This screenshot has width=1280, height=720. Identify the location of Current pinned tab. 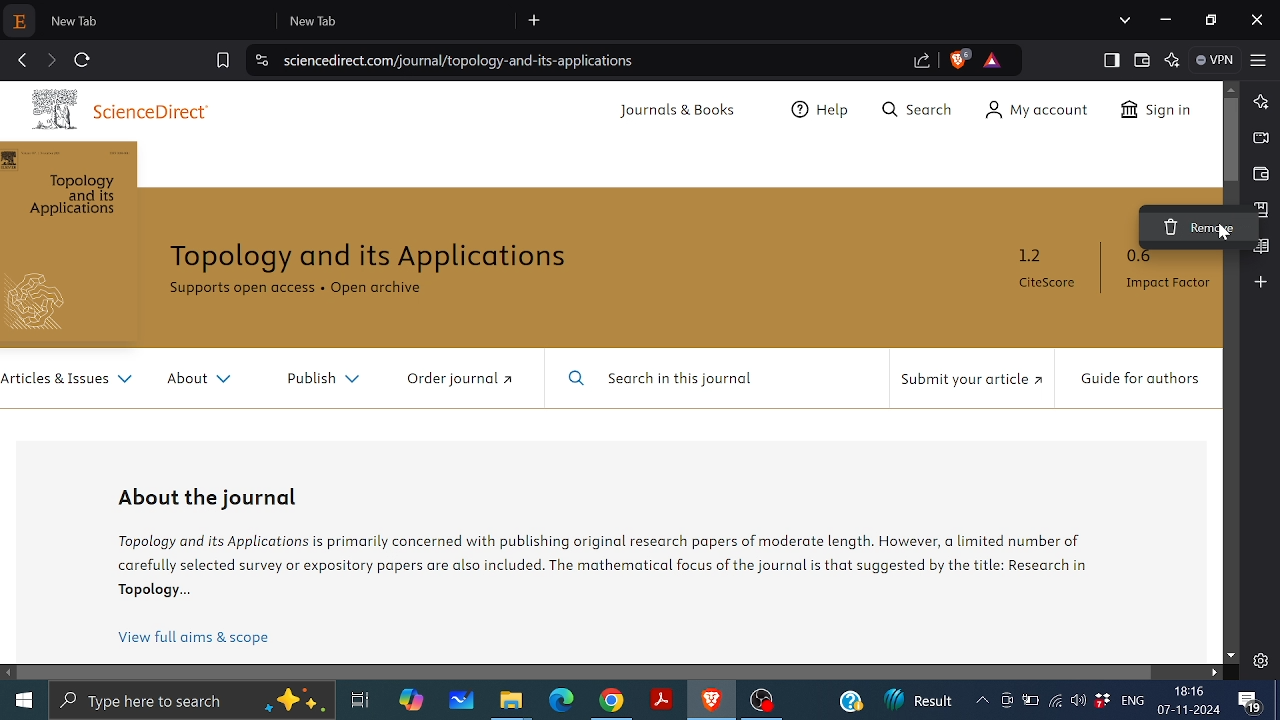
(21, 22).